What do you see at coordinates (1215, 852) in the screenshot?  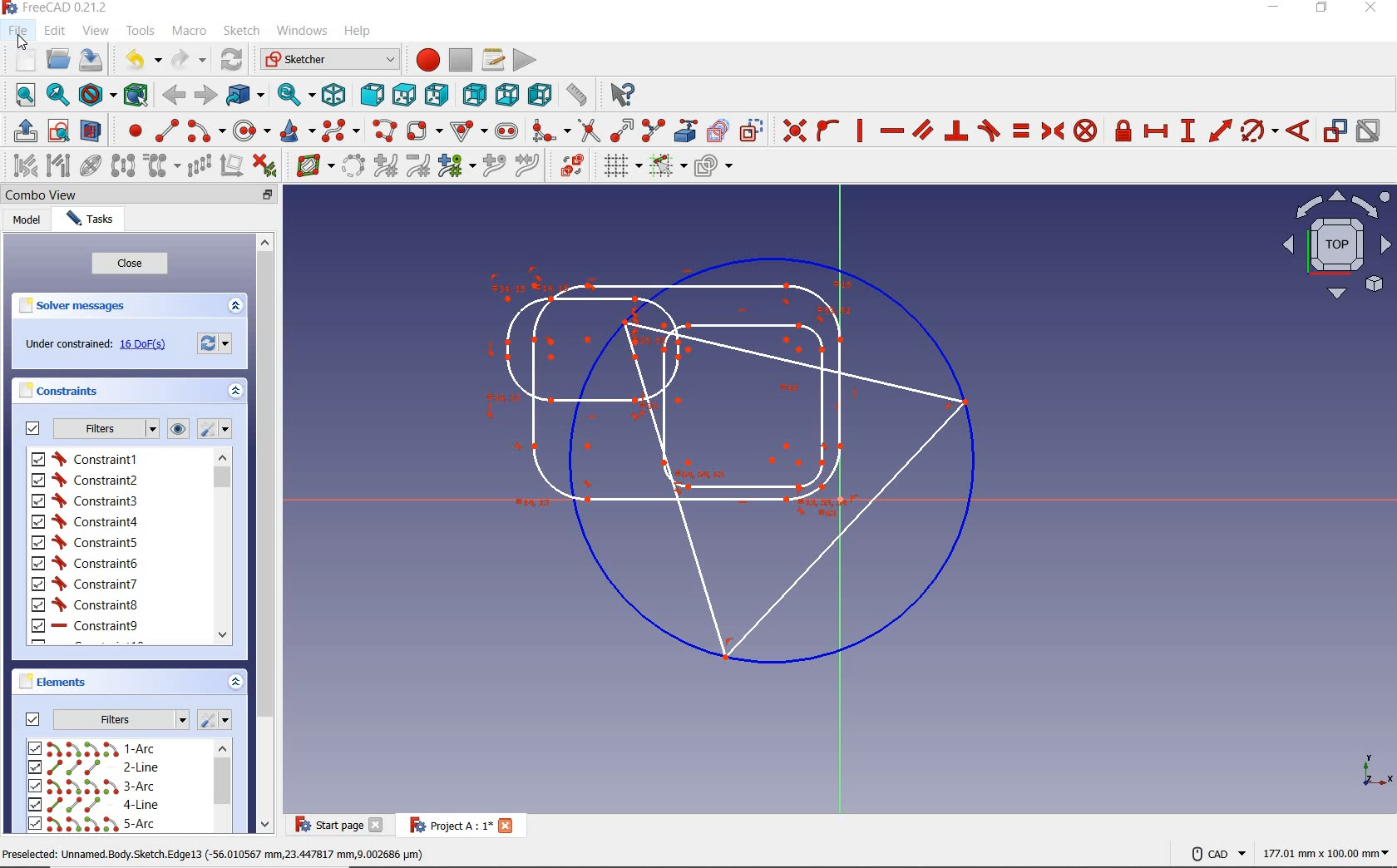 I see `CAD Navigation style` at bounding box center [1215, 852].